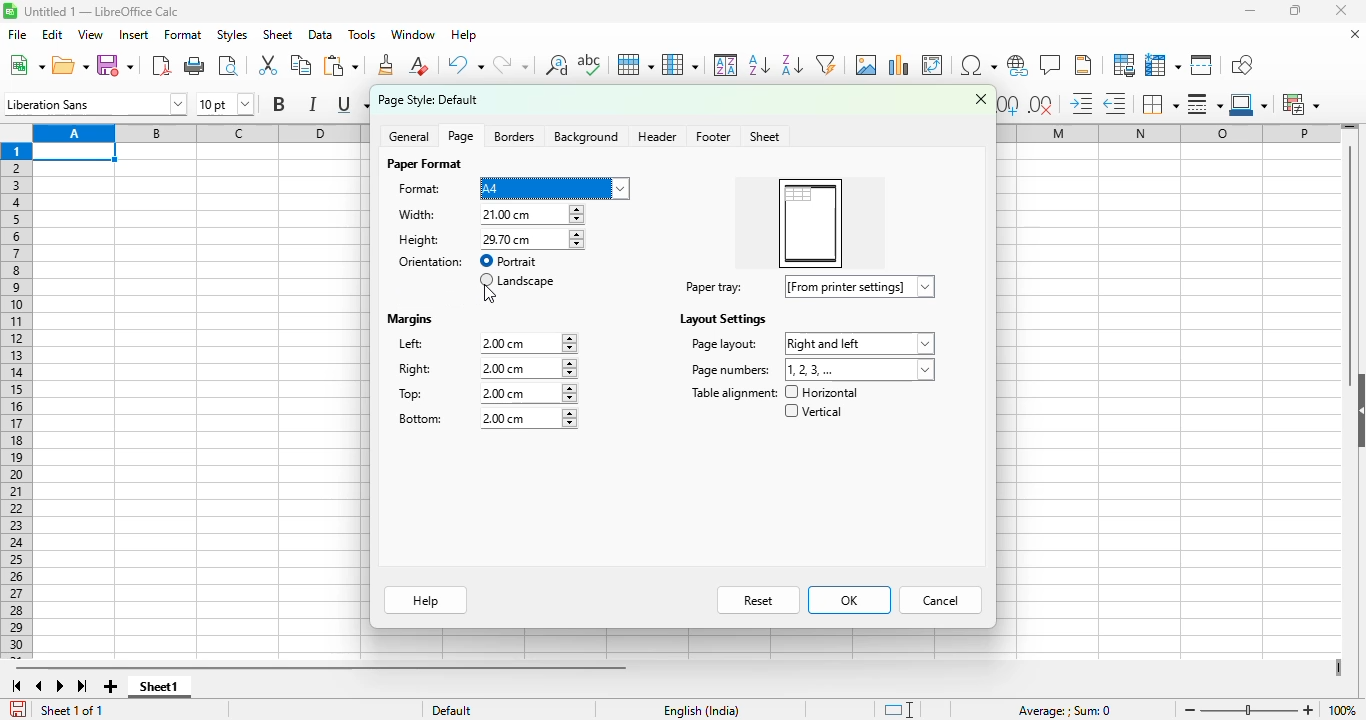  I want to click on toggle print preview, so click(228, 66).